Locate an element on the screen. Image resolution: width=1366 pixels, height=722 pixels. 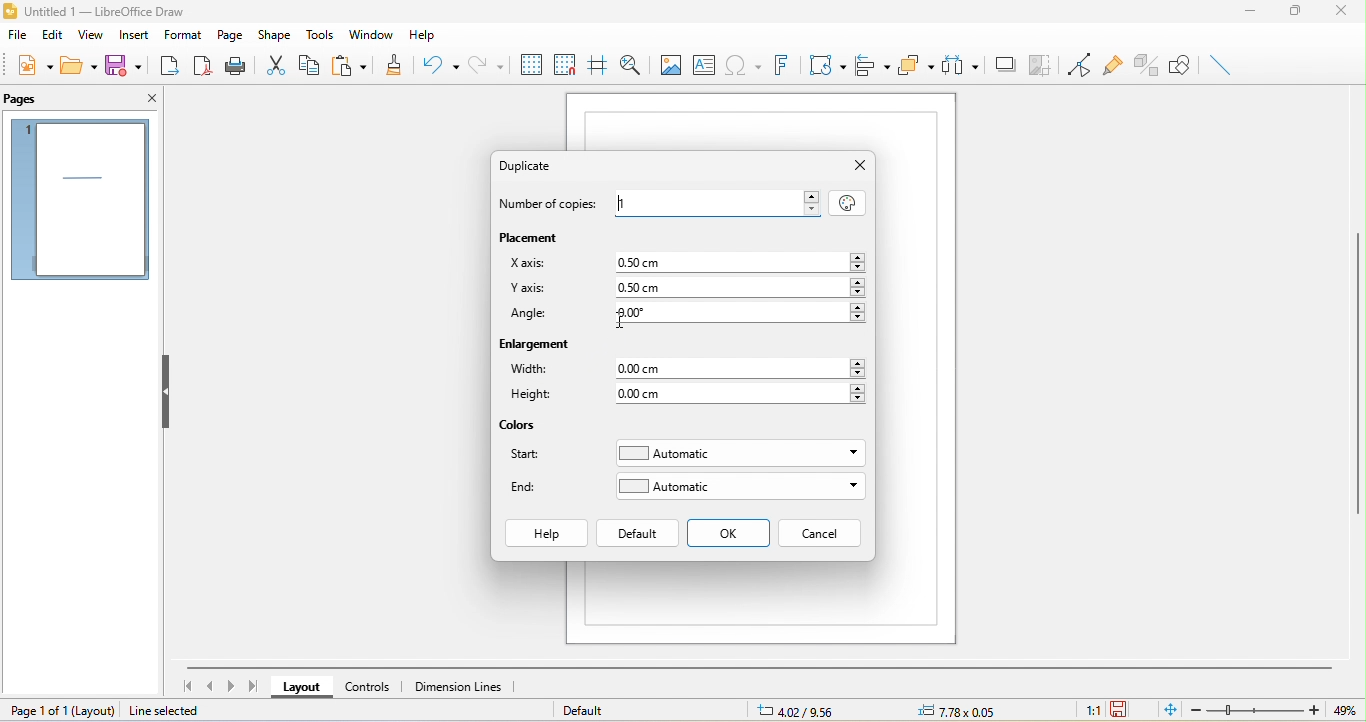
font work text is located at coordinates (780, 65).